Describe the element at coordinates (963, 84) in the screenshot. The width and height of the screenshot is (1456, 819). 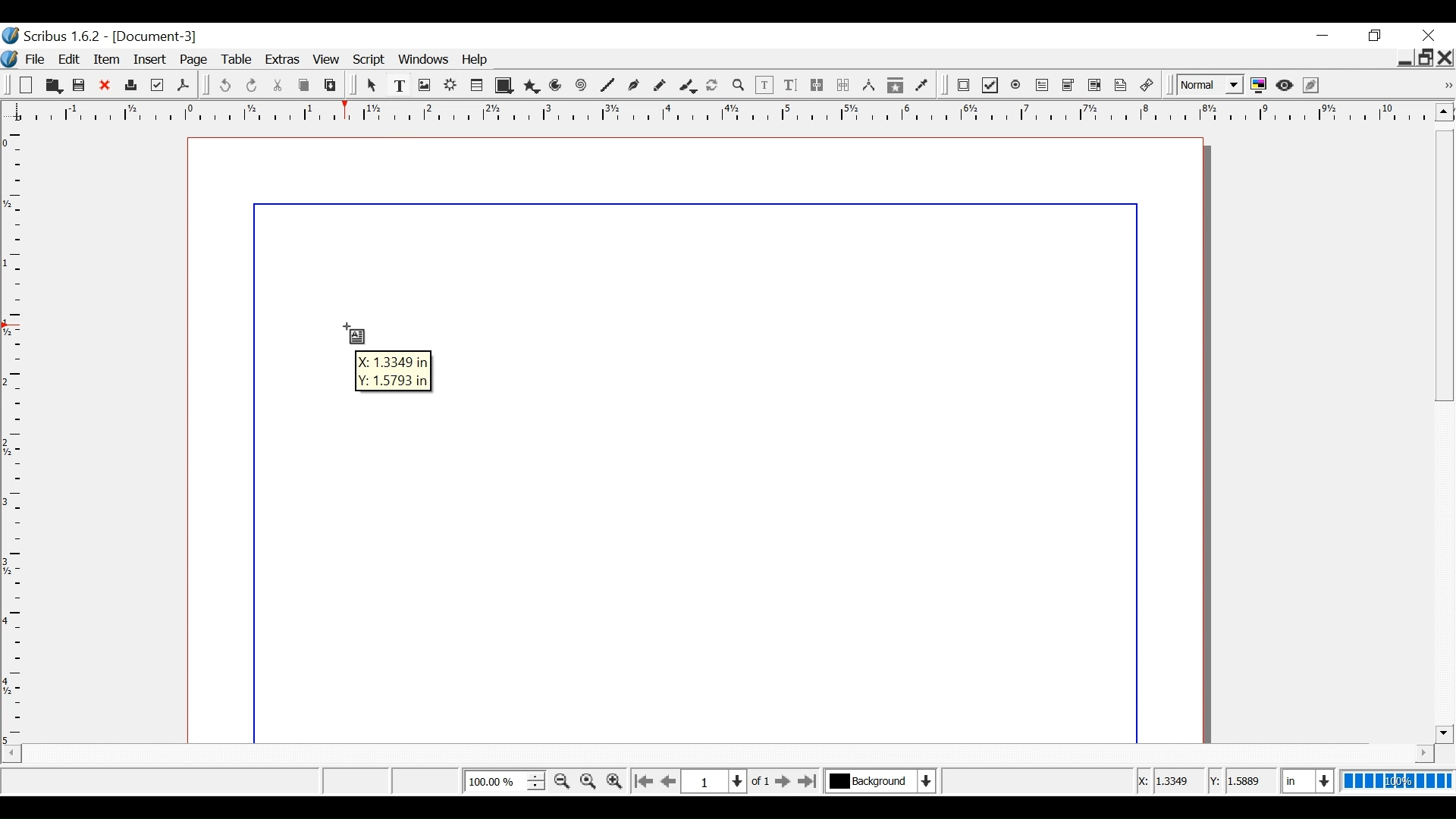
I see `PDF Push Button` at that location.